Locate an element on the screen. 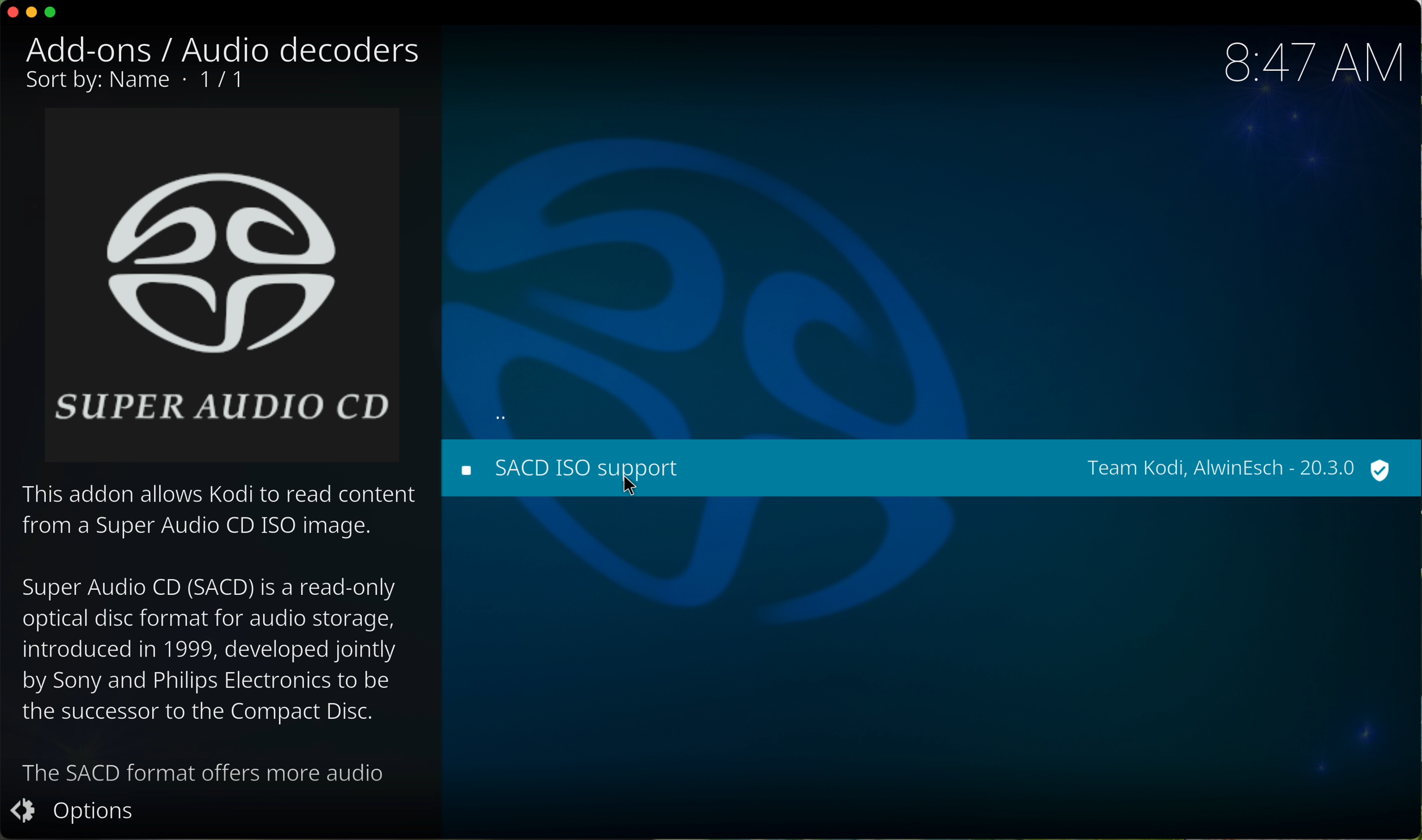 The image size is (1422, 840). description is located at coordinates (216, 633).